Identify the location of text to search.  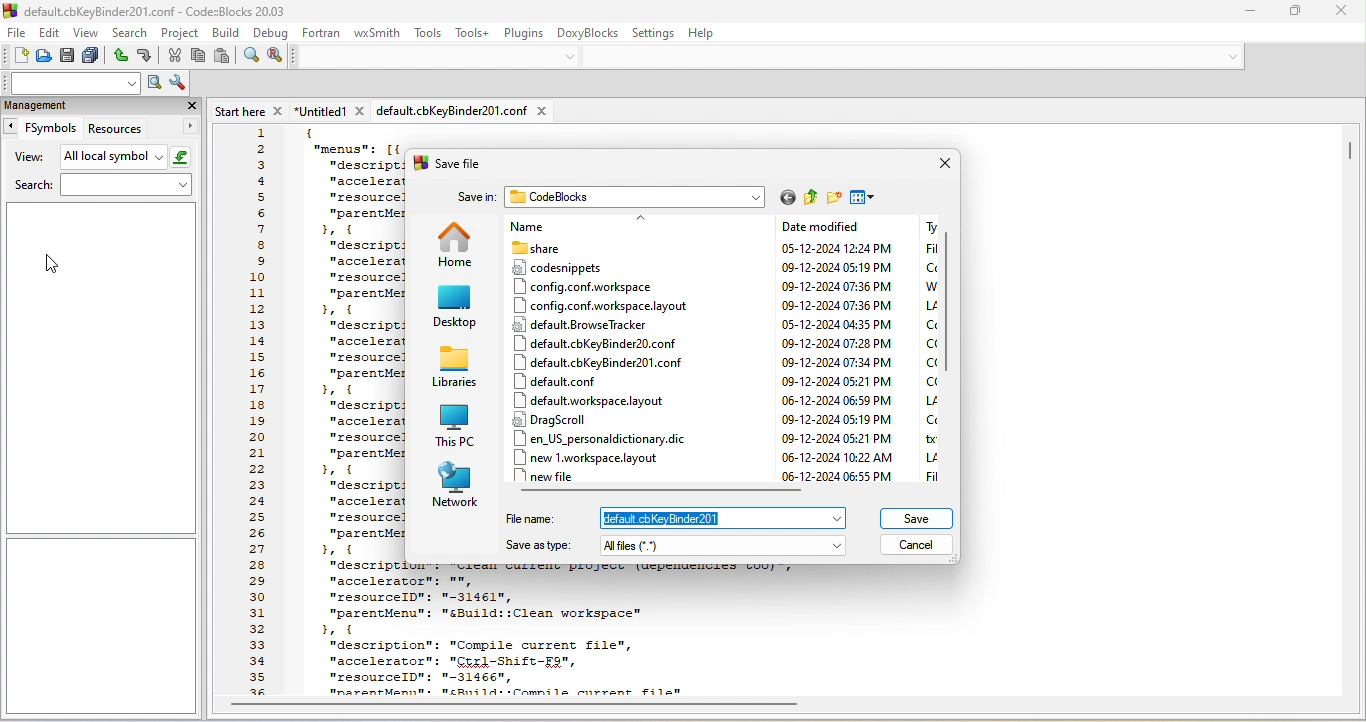
(70, 85).